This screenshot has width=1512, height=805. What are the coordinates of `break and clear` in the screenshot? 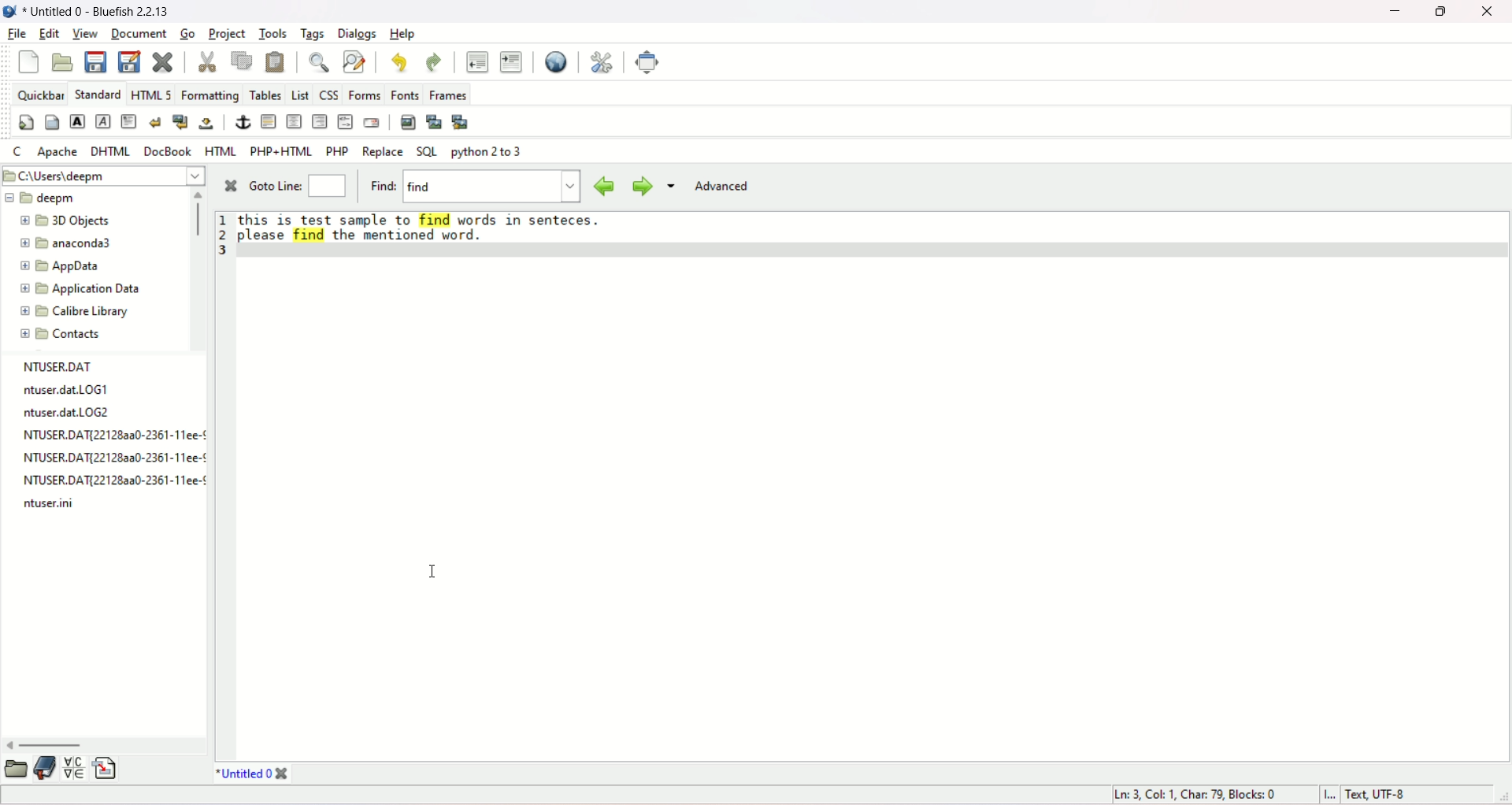 It's located at (180, 123).